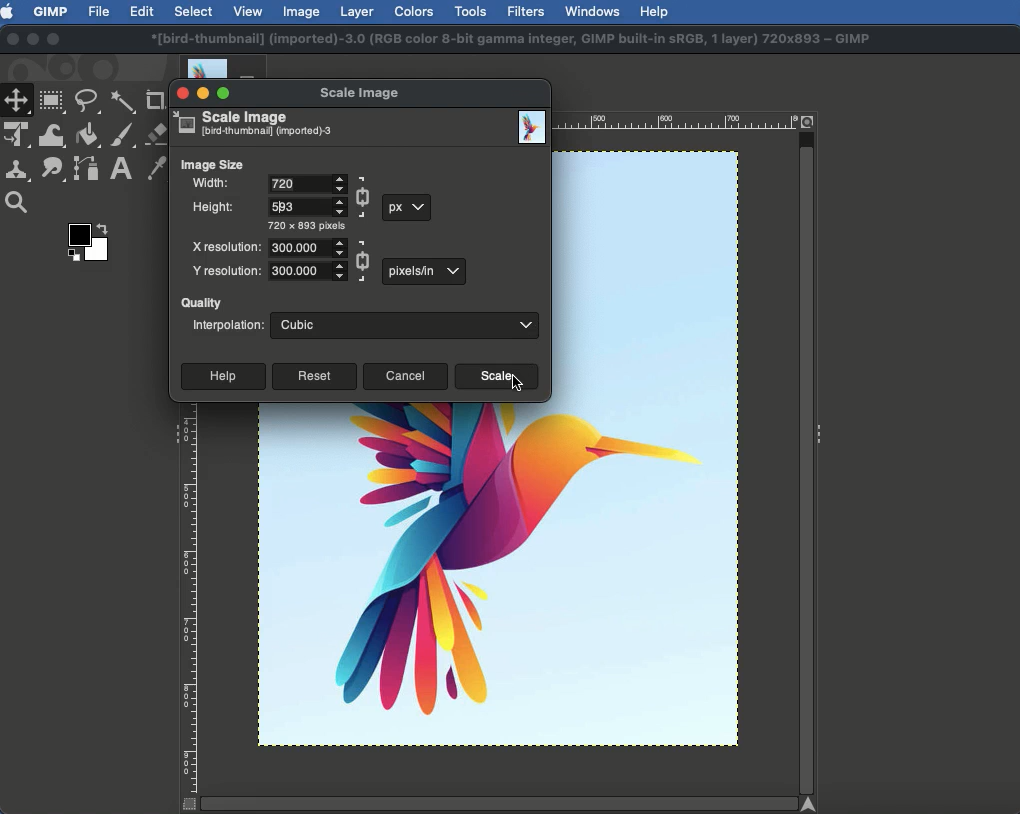 This screenshot has height=814, width=1020. What do you see at coordinates (156, 134) in the screenshot?
I see `Eraser` at bounding box center [156, 134].